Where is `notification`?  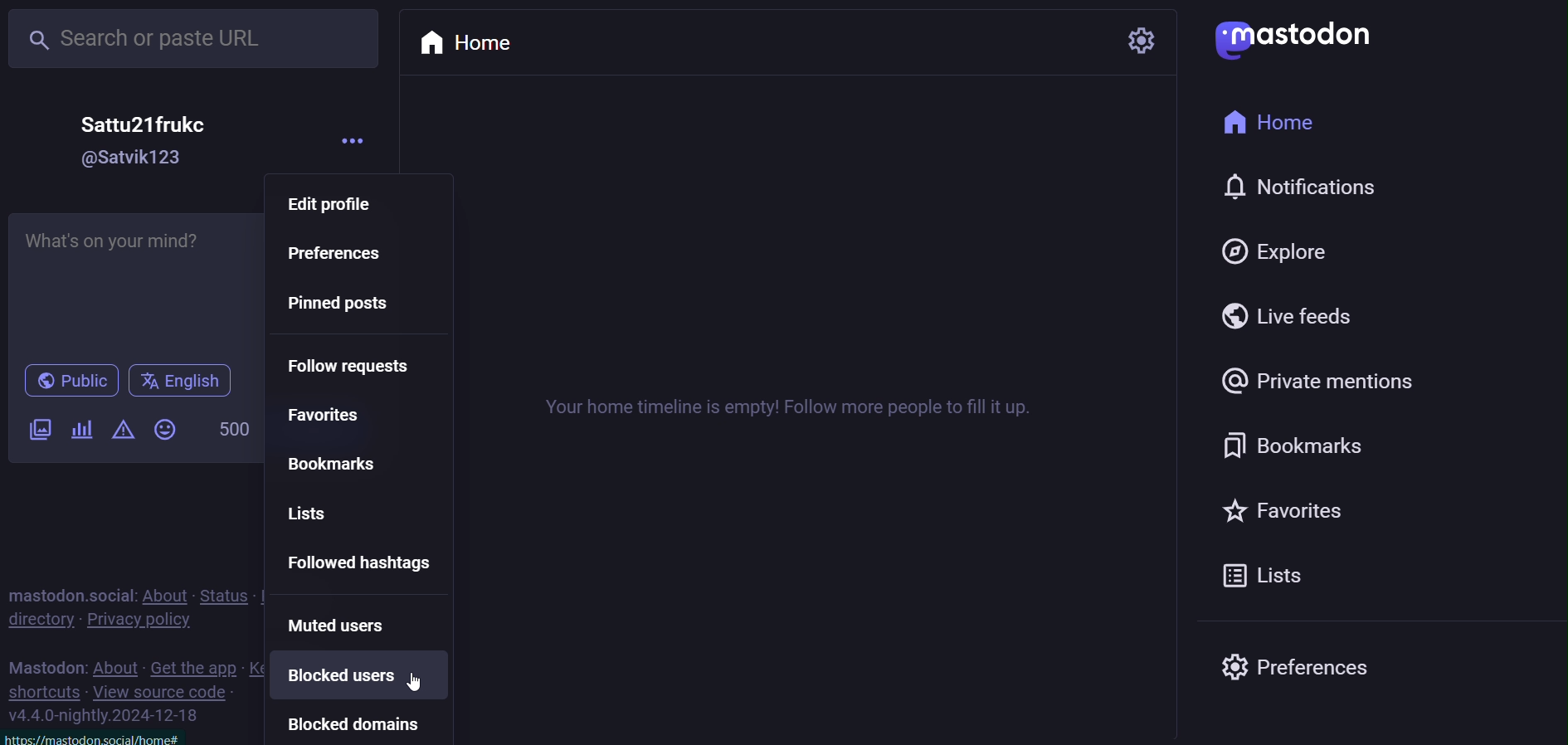 notification is located at coordinates (1285, 190).